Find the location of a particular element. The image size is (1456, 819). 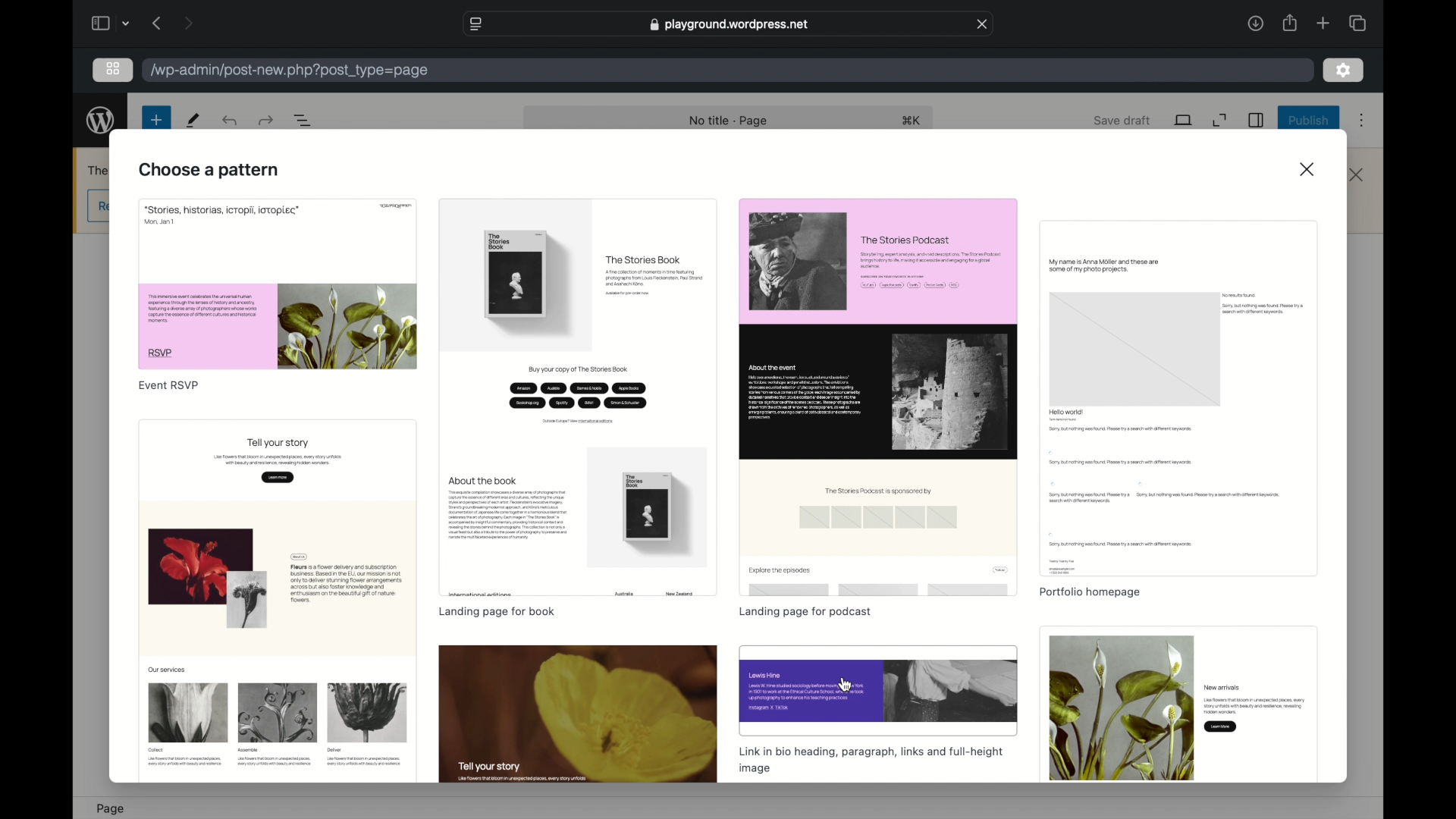

preview is located at coordinates (1180, 397).